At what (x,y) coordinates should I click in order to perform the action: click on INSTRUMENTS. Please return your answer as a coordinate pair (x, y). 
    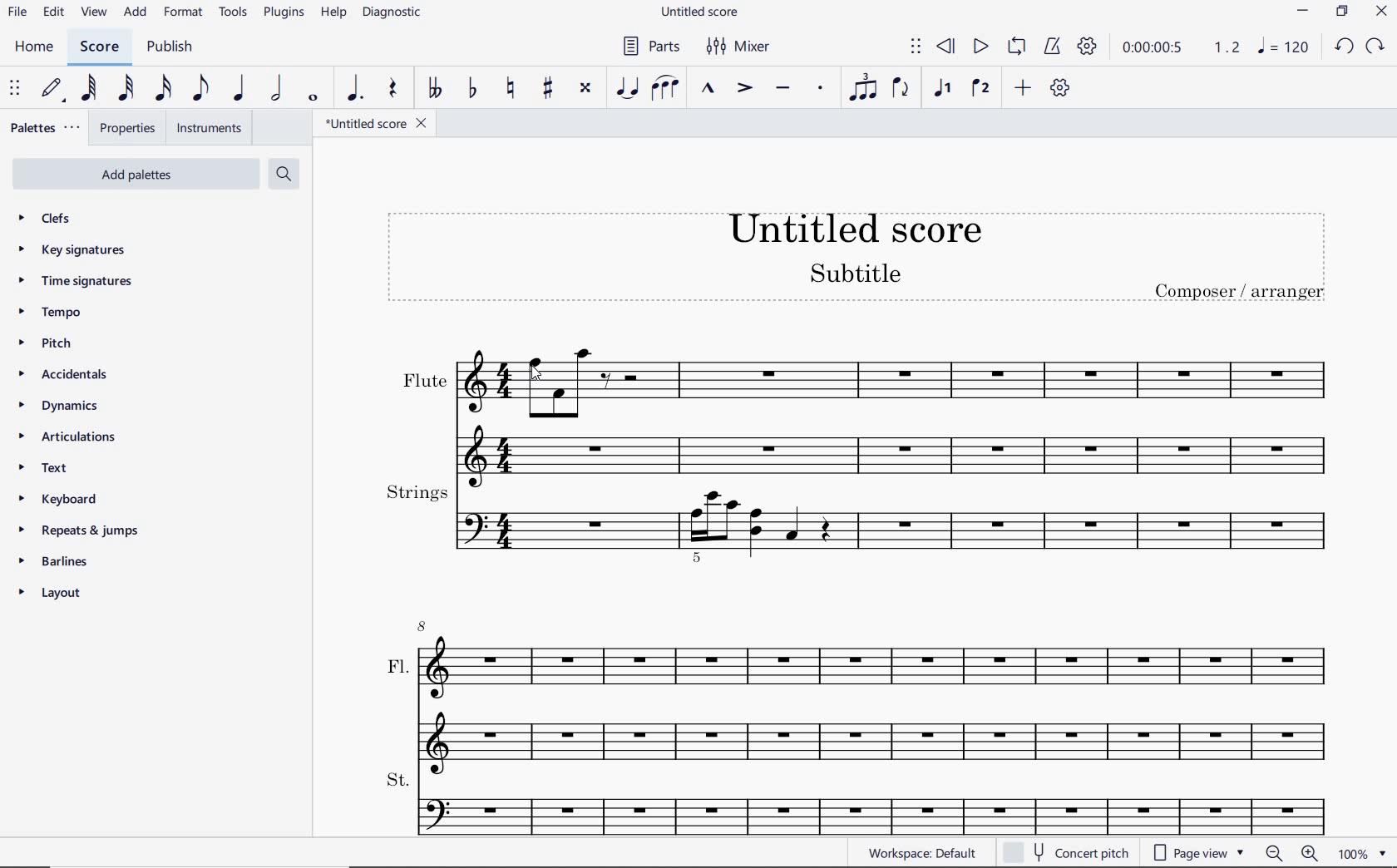
    Looking at the image, I should click on (210, 128).